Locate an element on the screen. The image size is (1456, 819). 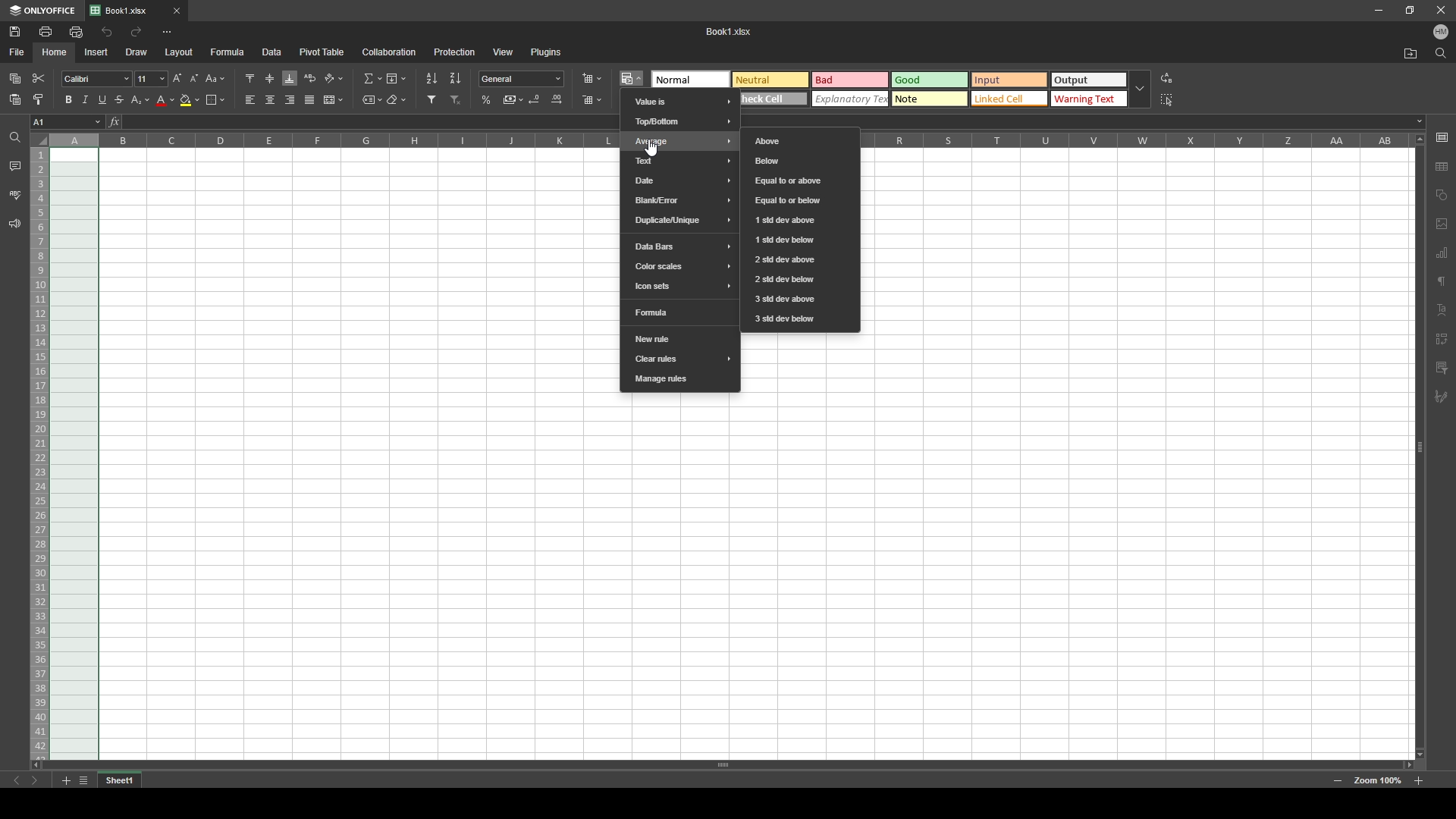
sort ascending is located at coordinates (431, 78).